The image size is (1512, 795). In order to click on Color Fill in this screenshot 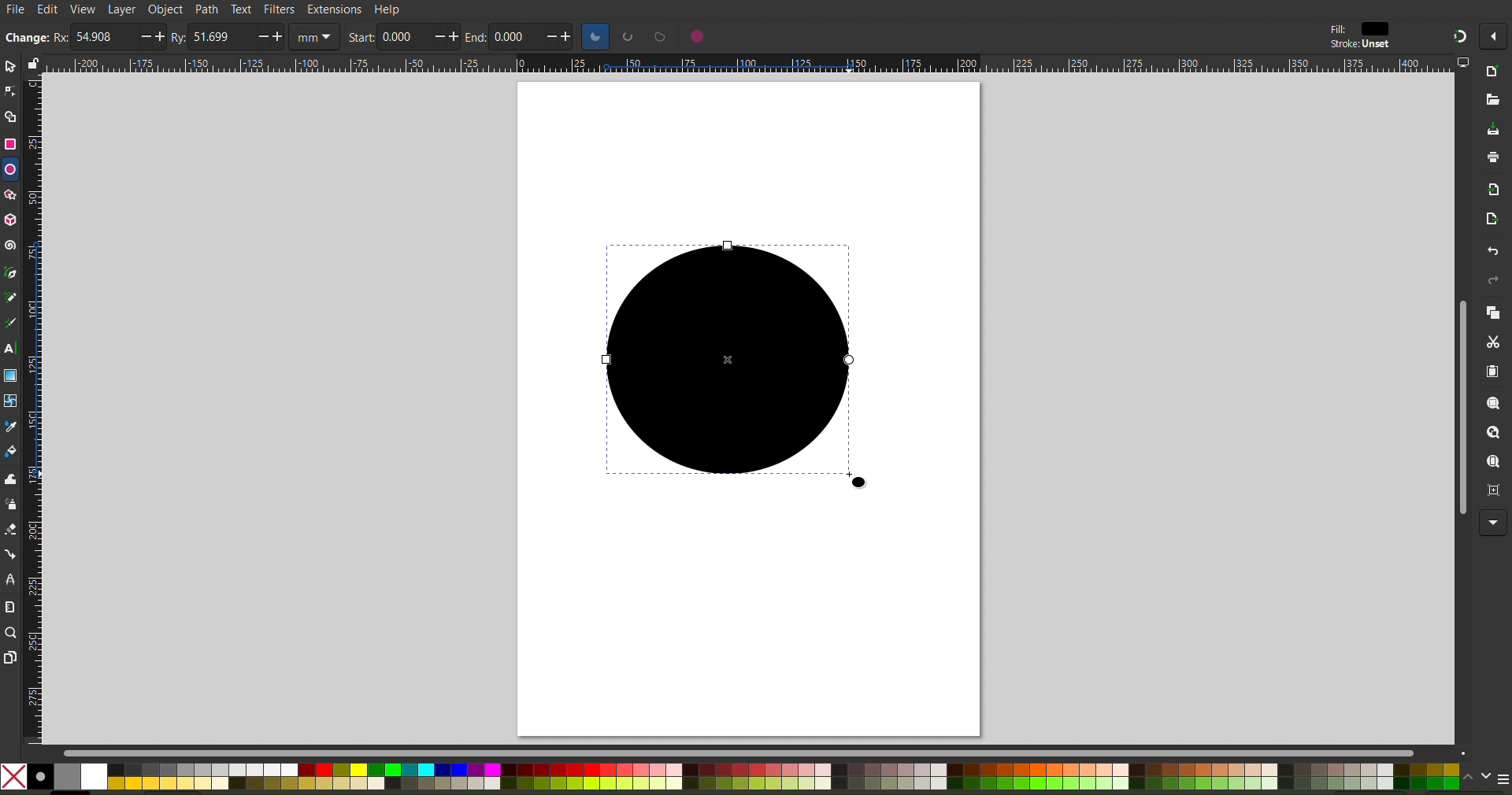, I will do `click(11, 451)`.